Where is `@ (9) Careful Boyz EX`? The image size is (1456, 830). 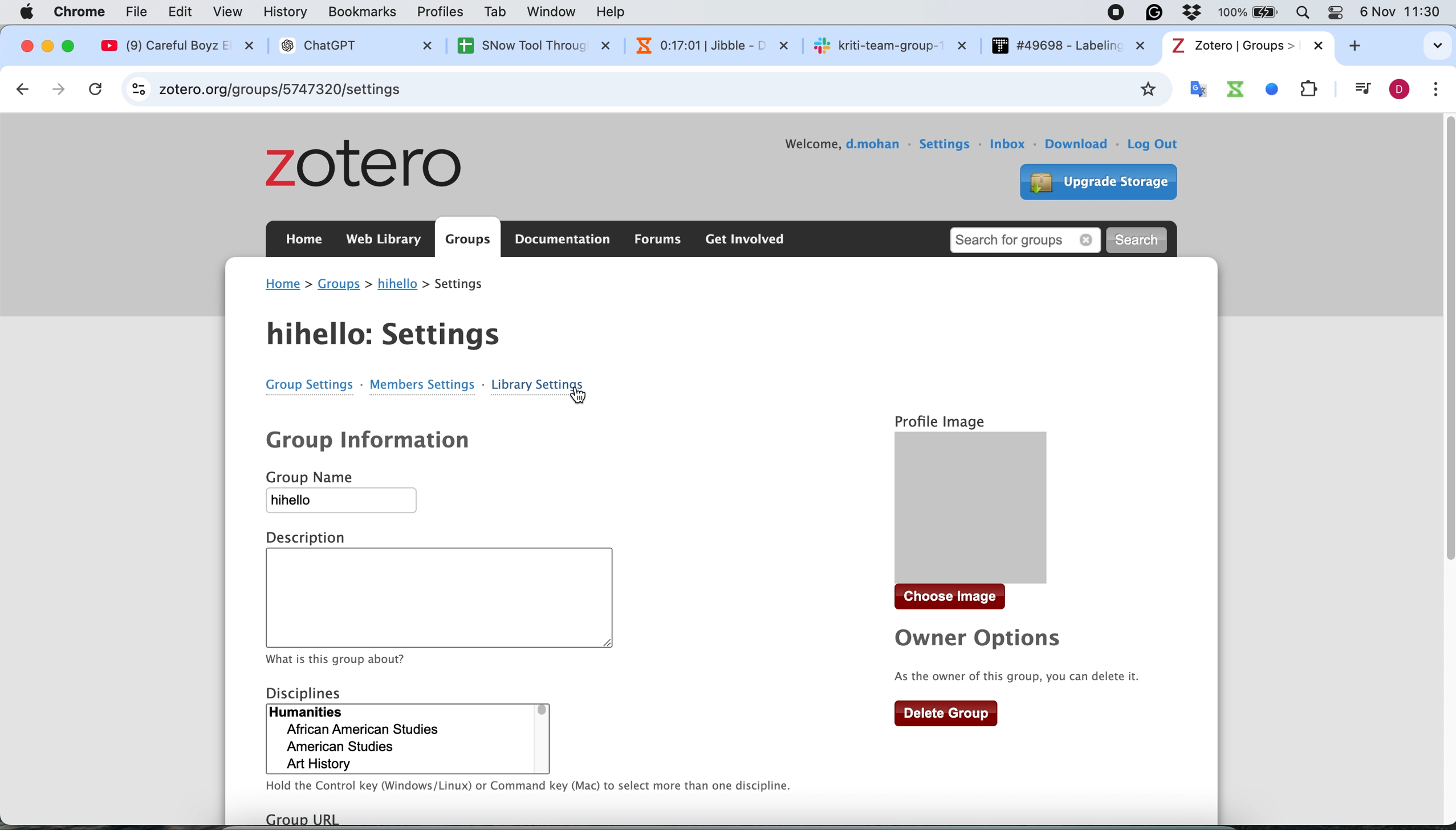
@ (9) Careful Boyz EX is located at coordinates (184, 46).